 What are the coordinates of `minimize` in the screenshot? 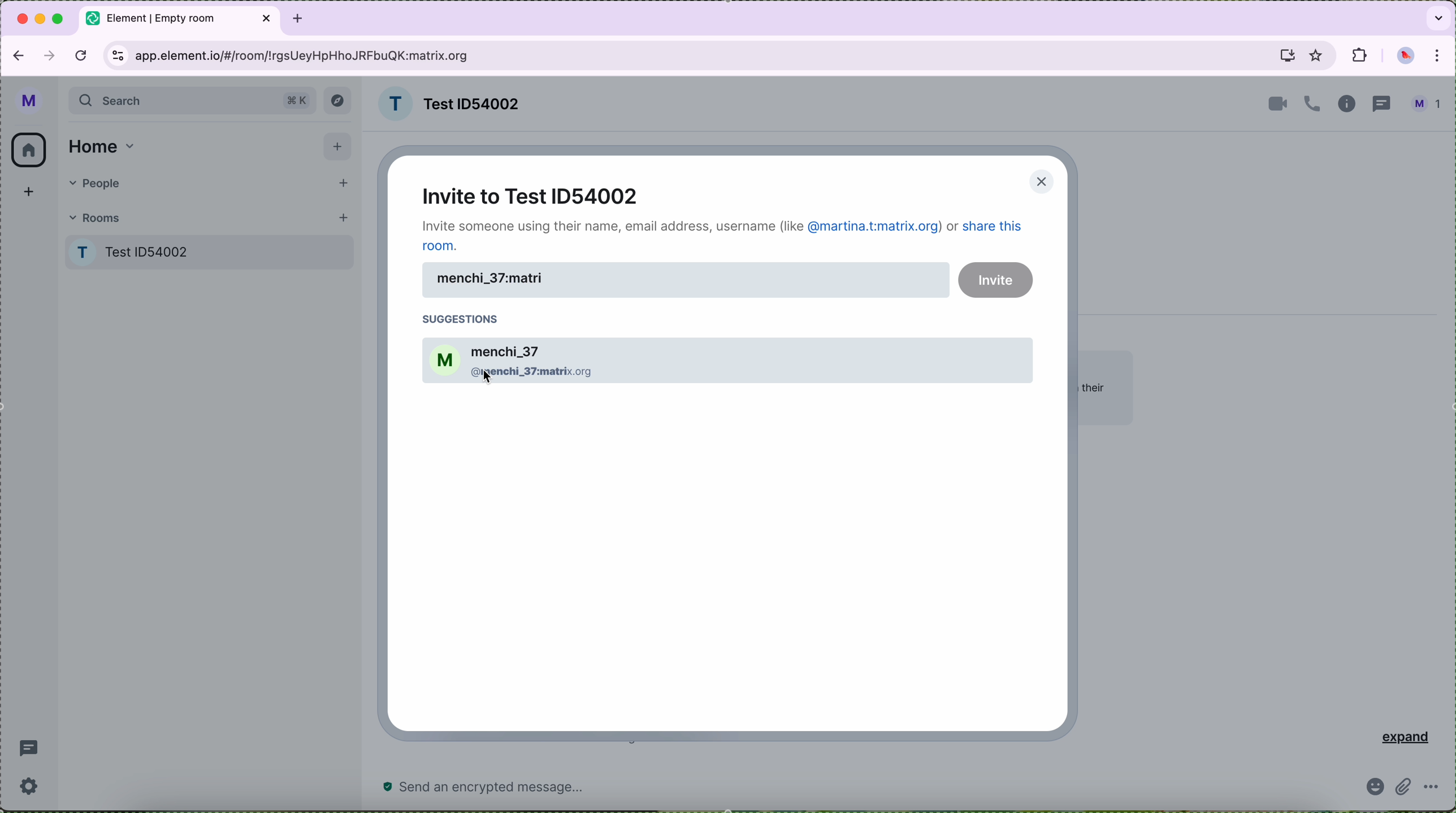 It's located at (42, 19).